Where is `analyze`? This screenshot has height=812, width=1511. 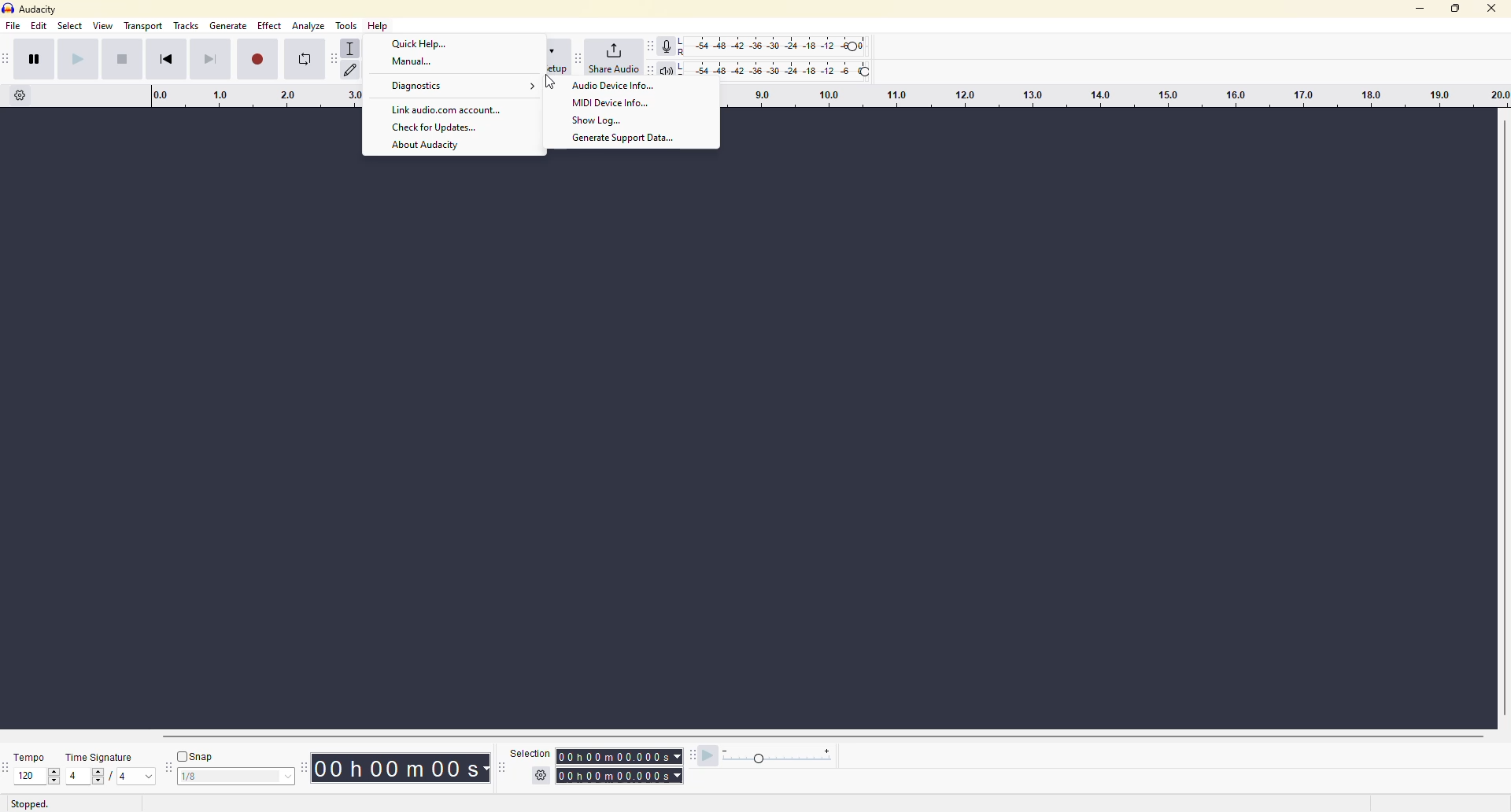 analyze is located at coordinates (308, 26).